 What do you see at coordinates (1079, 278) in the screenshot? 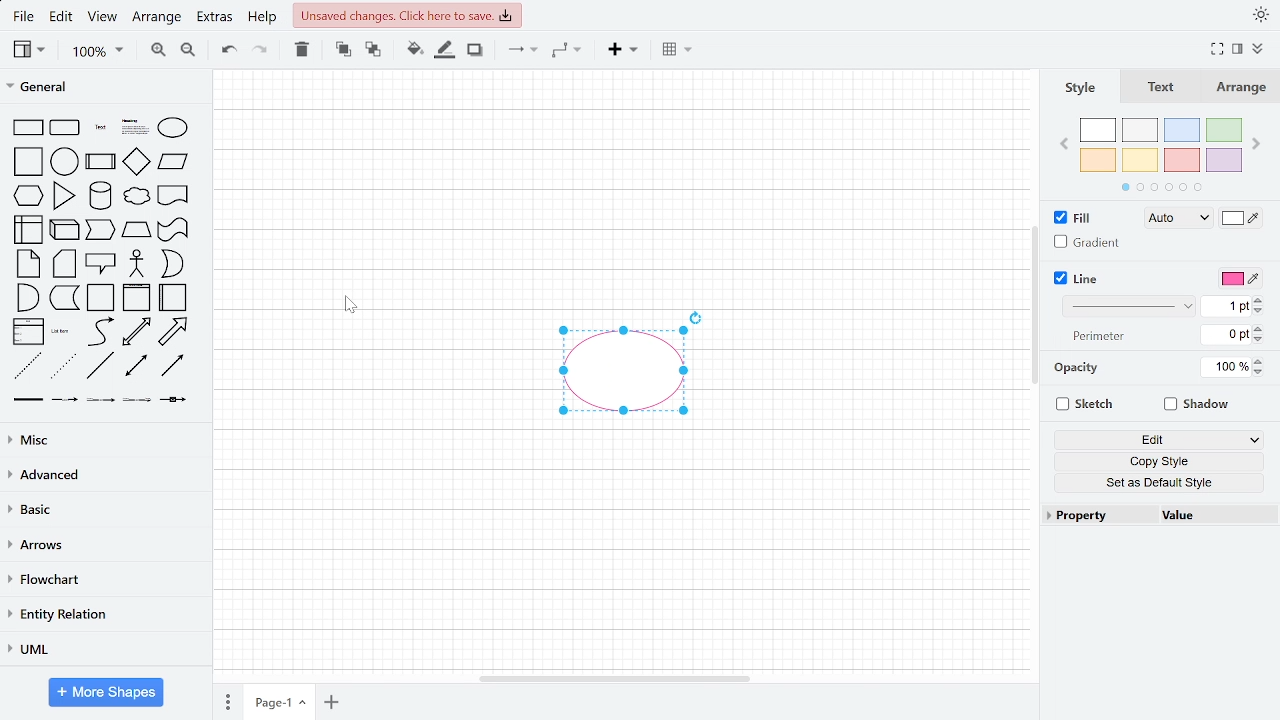
I see `LIne` at bounding box center [1079, 278].